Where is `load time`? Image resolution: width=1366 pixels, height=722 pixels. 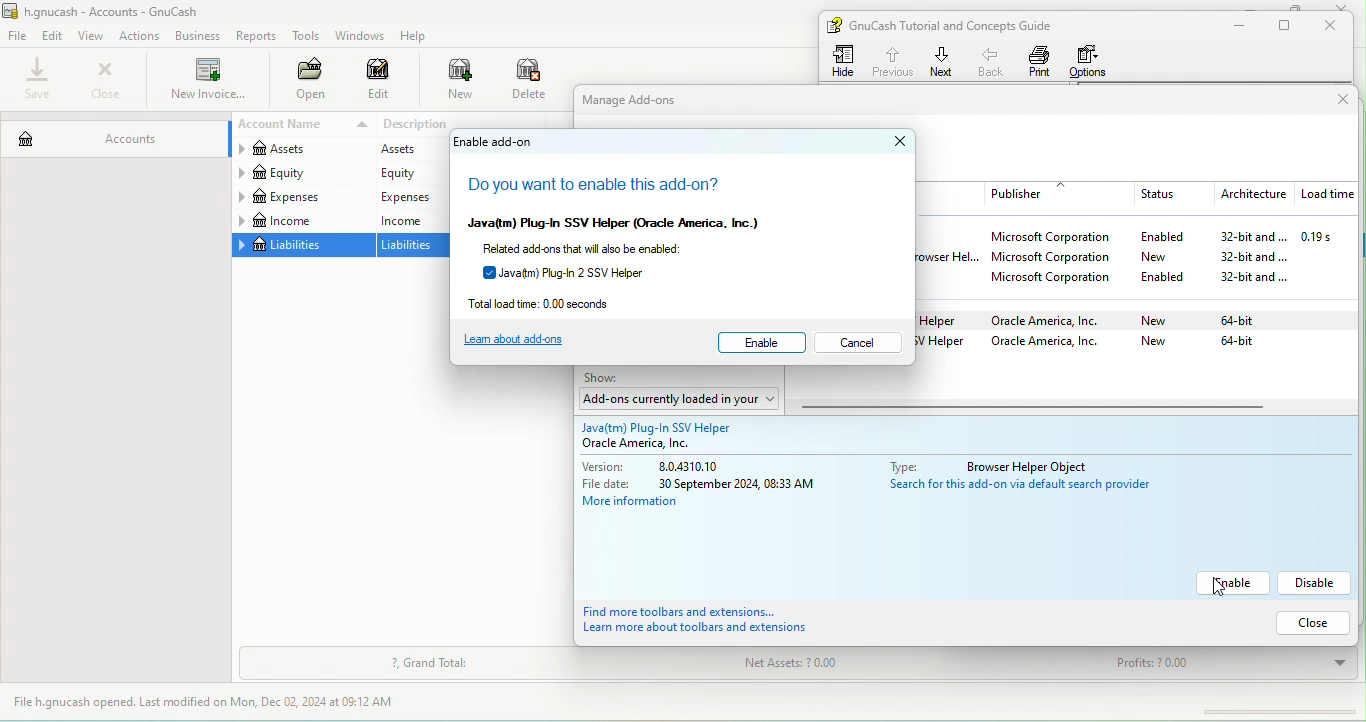
load time is located at coordinates (1325, 195).